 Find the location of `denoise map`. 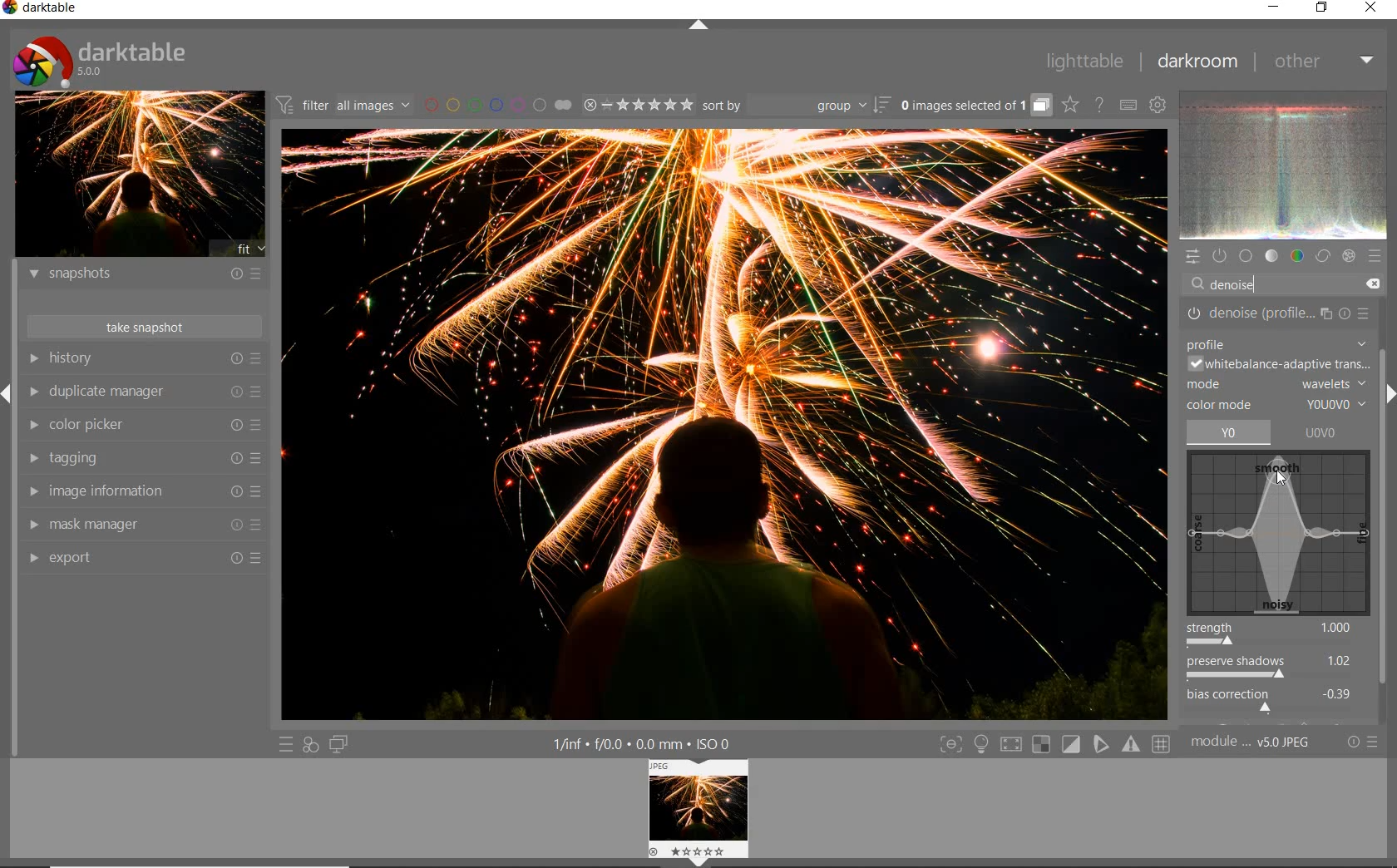

denoise map is located at coordinates (1279, 534).